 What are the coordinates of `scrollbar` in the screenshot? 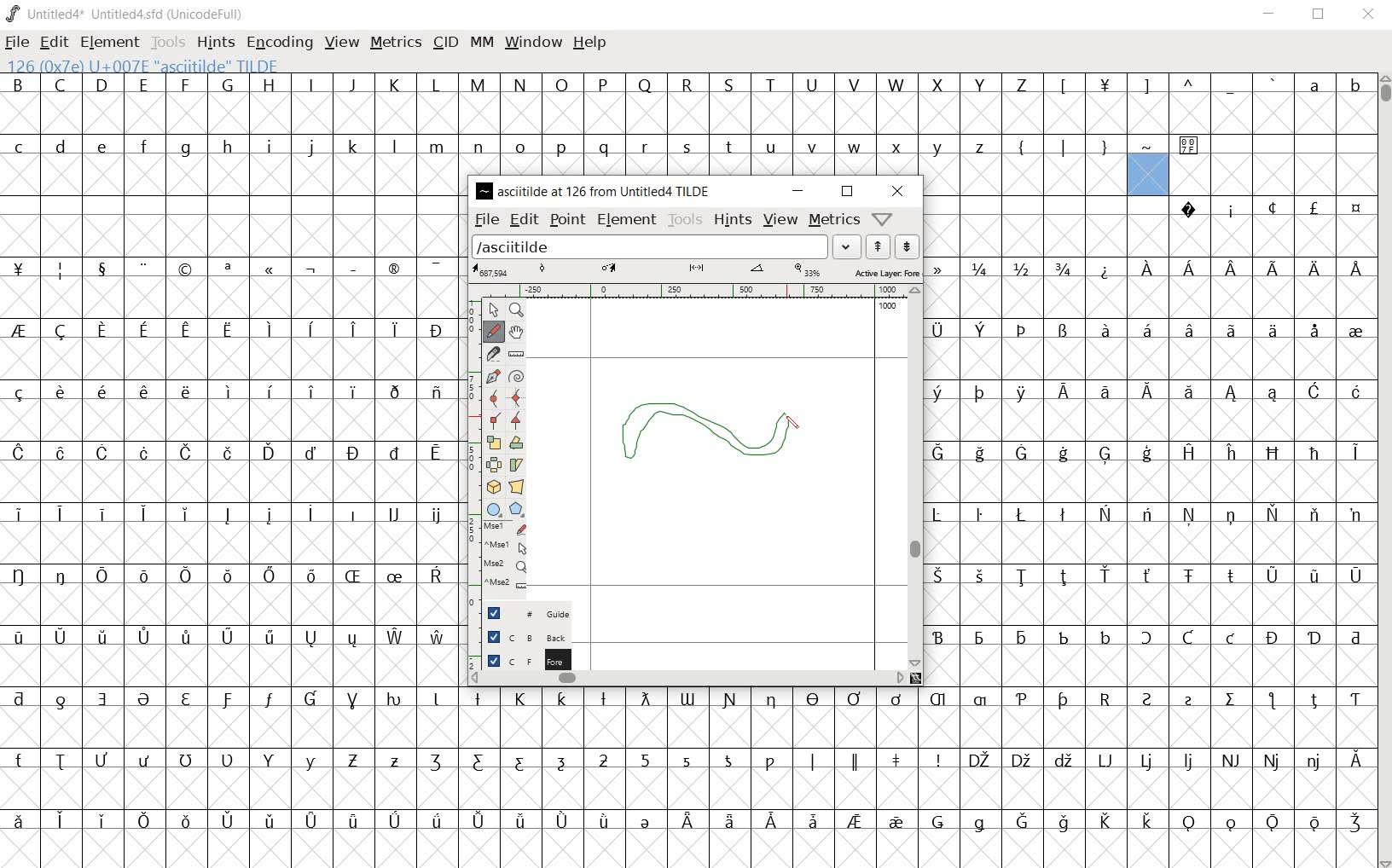 It's located at (917, 477).